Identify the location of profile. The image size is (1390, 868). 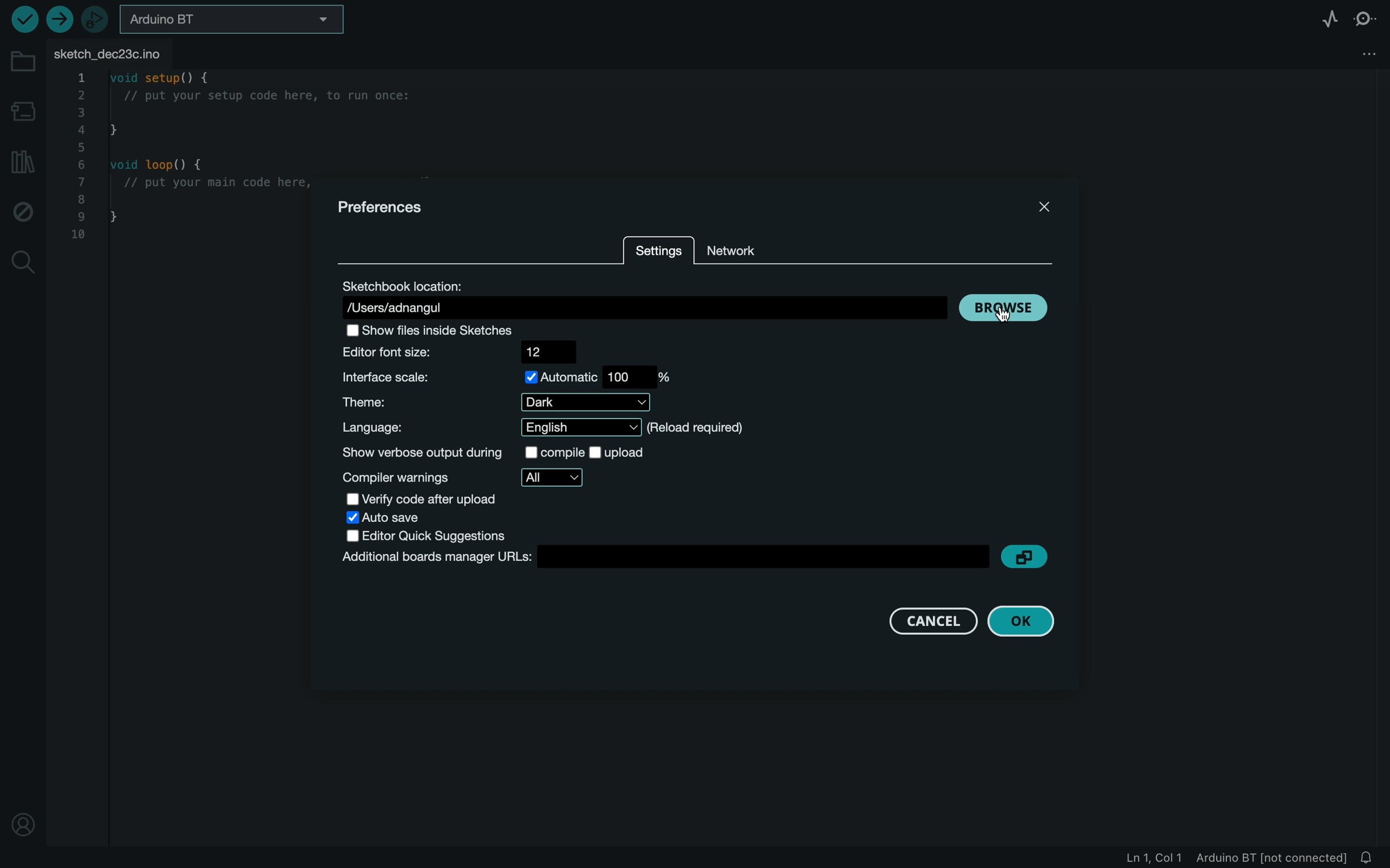
(26, 824).